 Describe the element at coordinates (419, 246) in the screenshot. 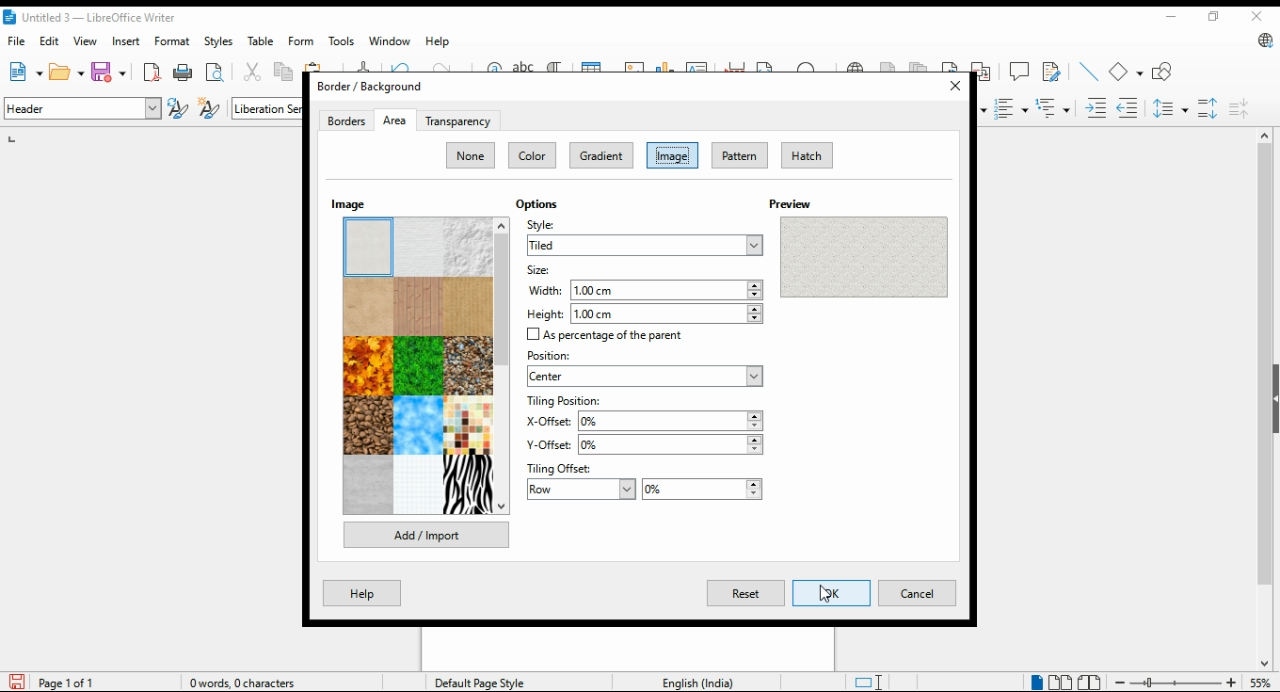

I see `image option 2` at that location.